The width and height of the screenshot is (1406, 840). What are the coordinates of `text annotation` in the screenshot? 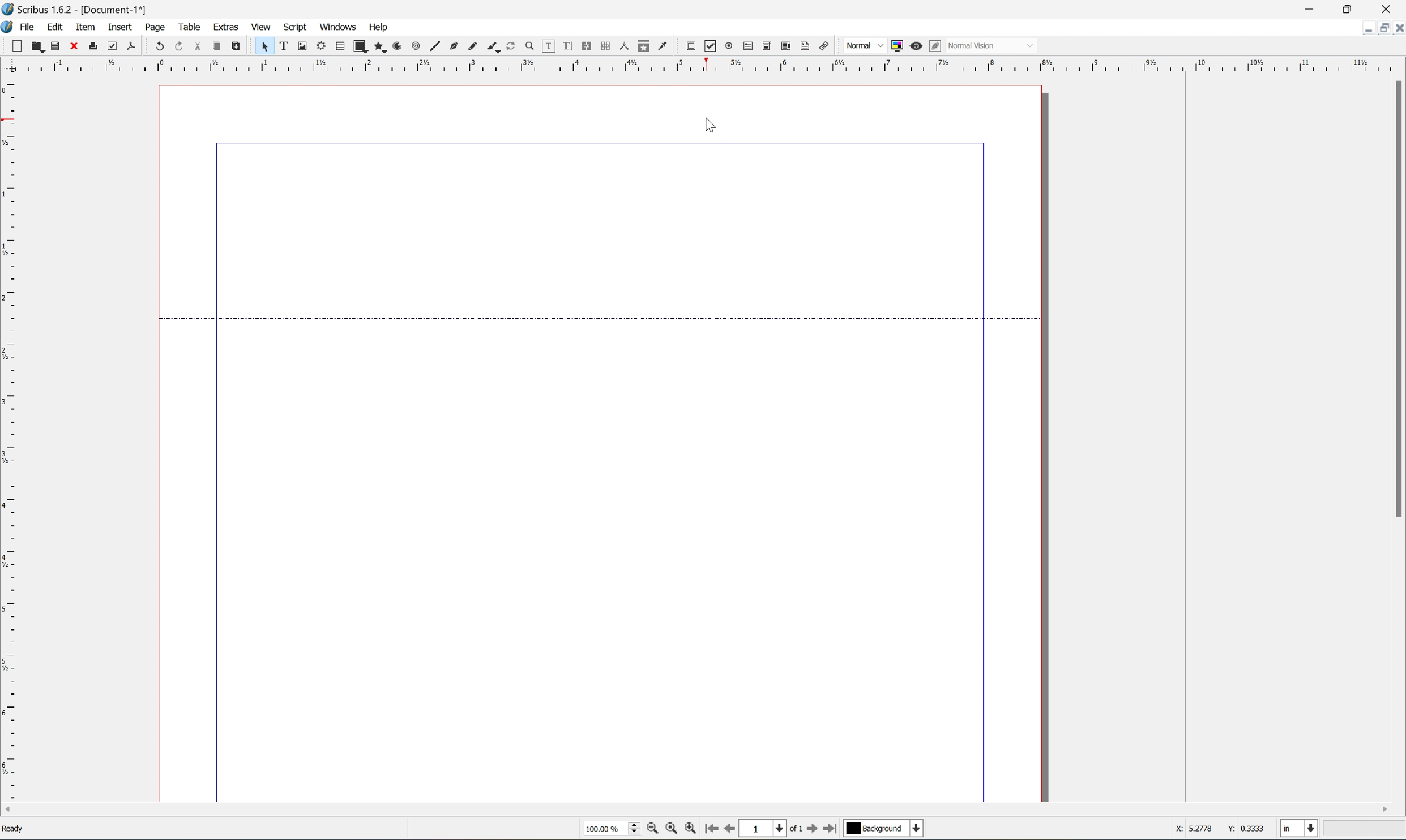 It's located at (806, 46).